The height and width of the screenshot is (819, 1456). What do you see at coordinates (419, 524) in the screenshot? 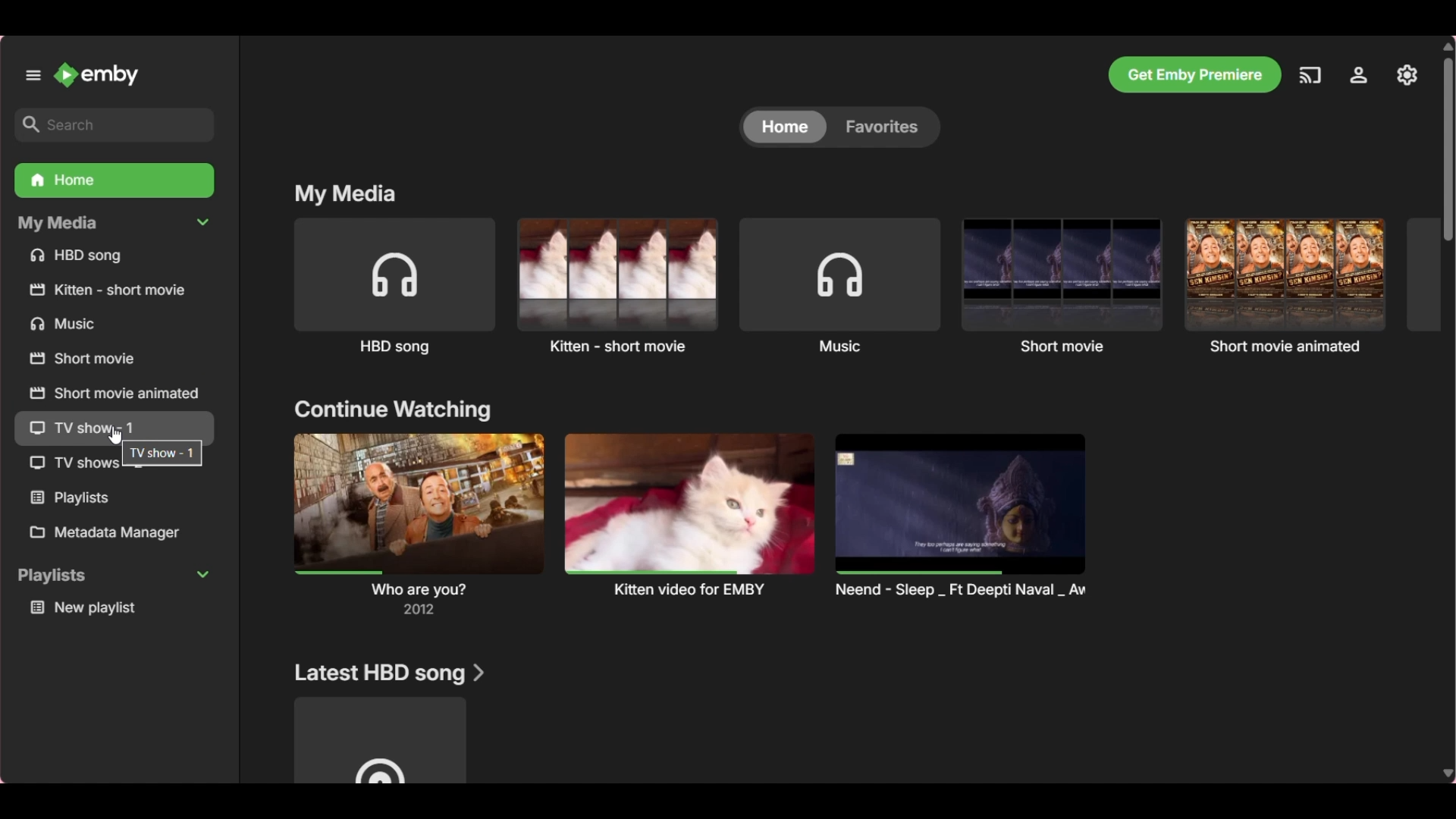
I see `Latest watch` at bounding box center [419, 524].